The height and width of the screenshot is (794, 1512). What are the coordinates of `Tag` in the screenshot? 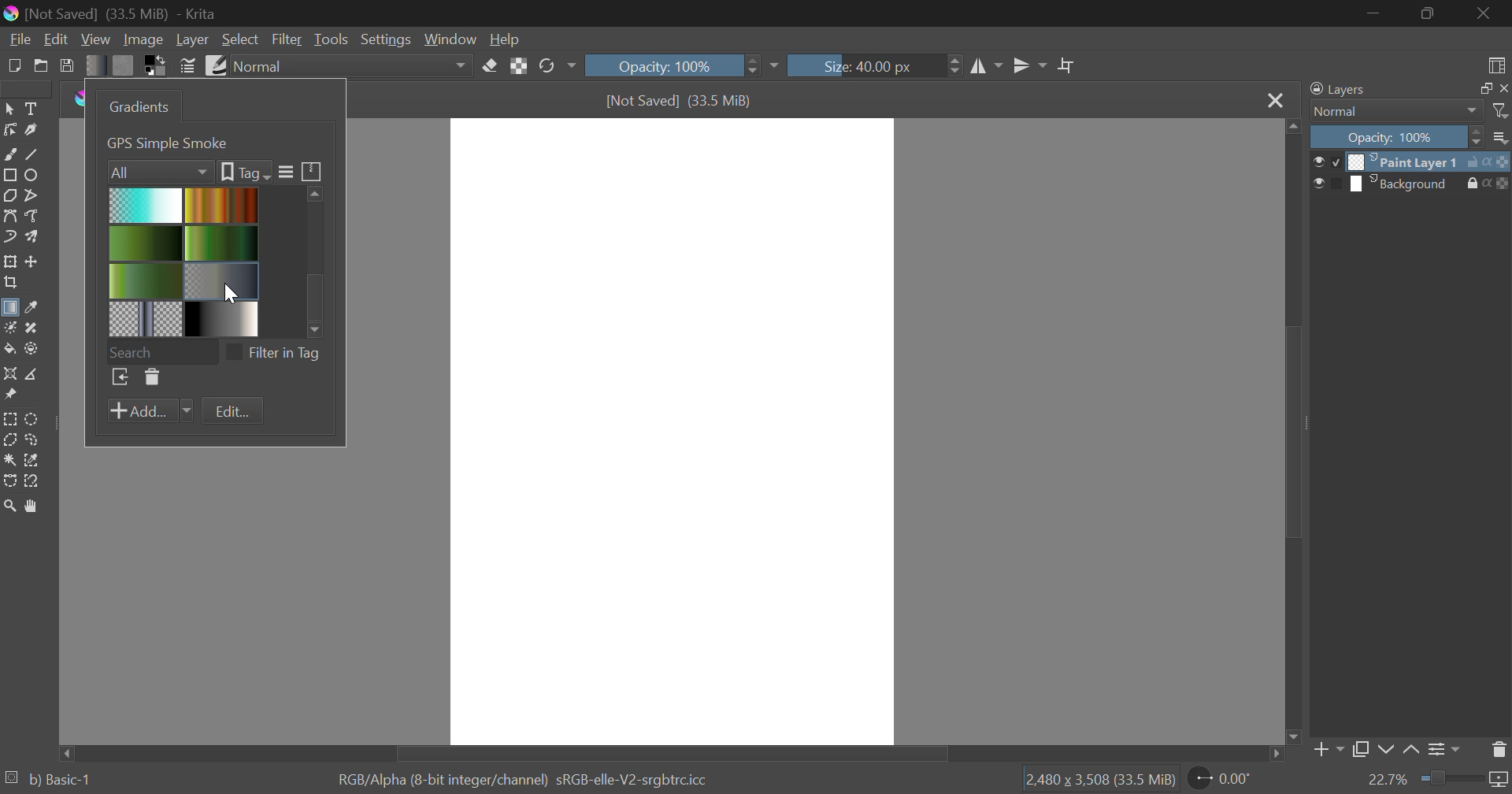 It's located at (244, 172).